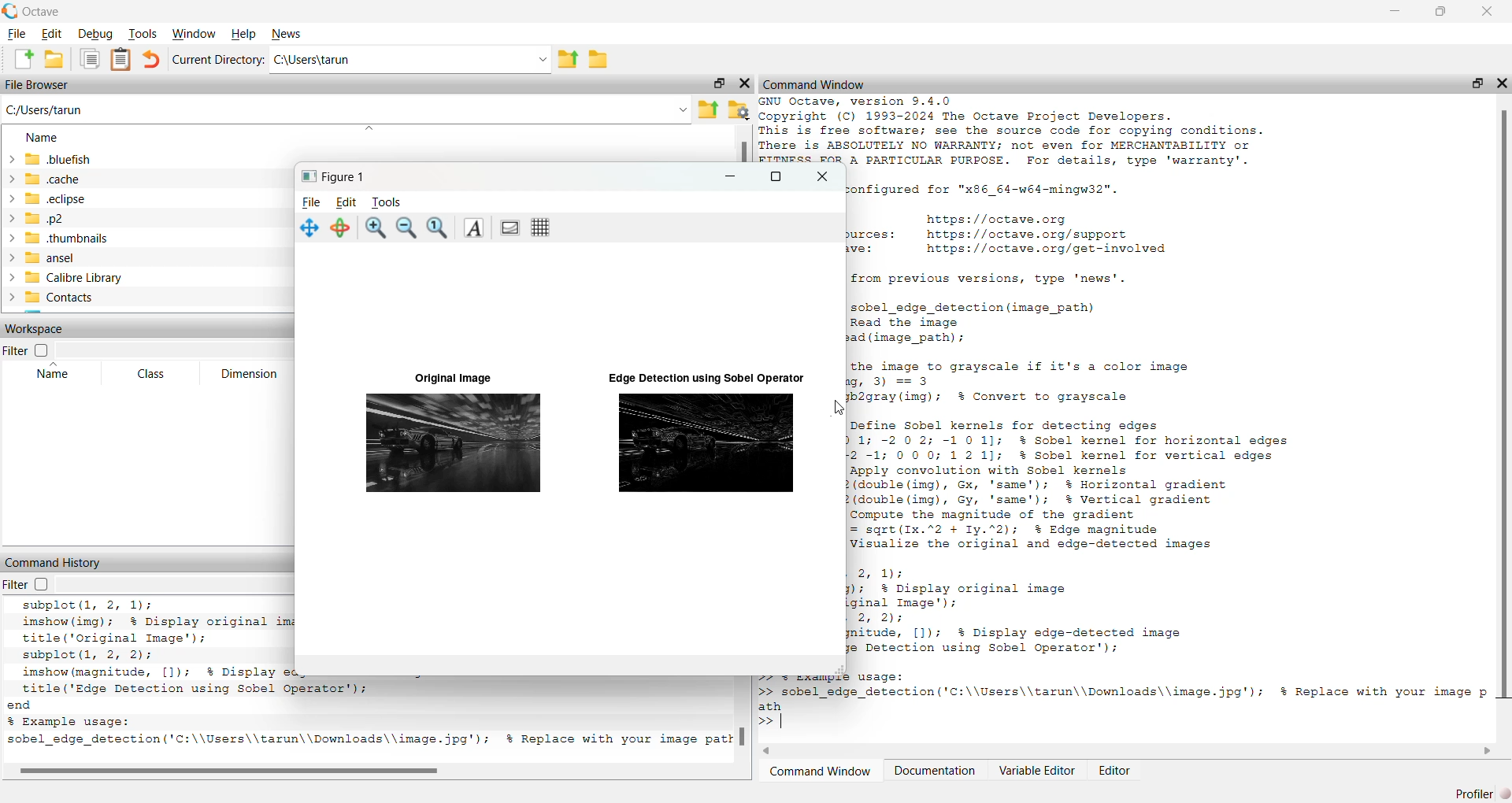 This screenshot has height=803, width=1512. Describe the element at coordinates (193, 33) in the screenshot. I see `Window` at that location.